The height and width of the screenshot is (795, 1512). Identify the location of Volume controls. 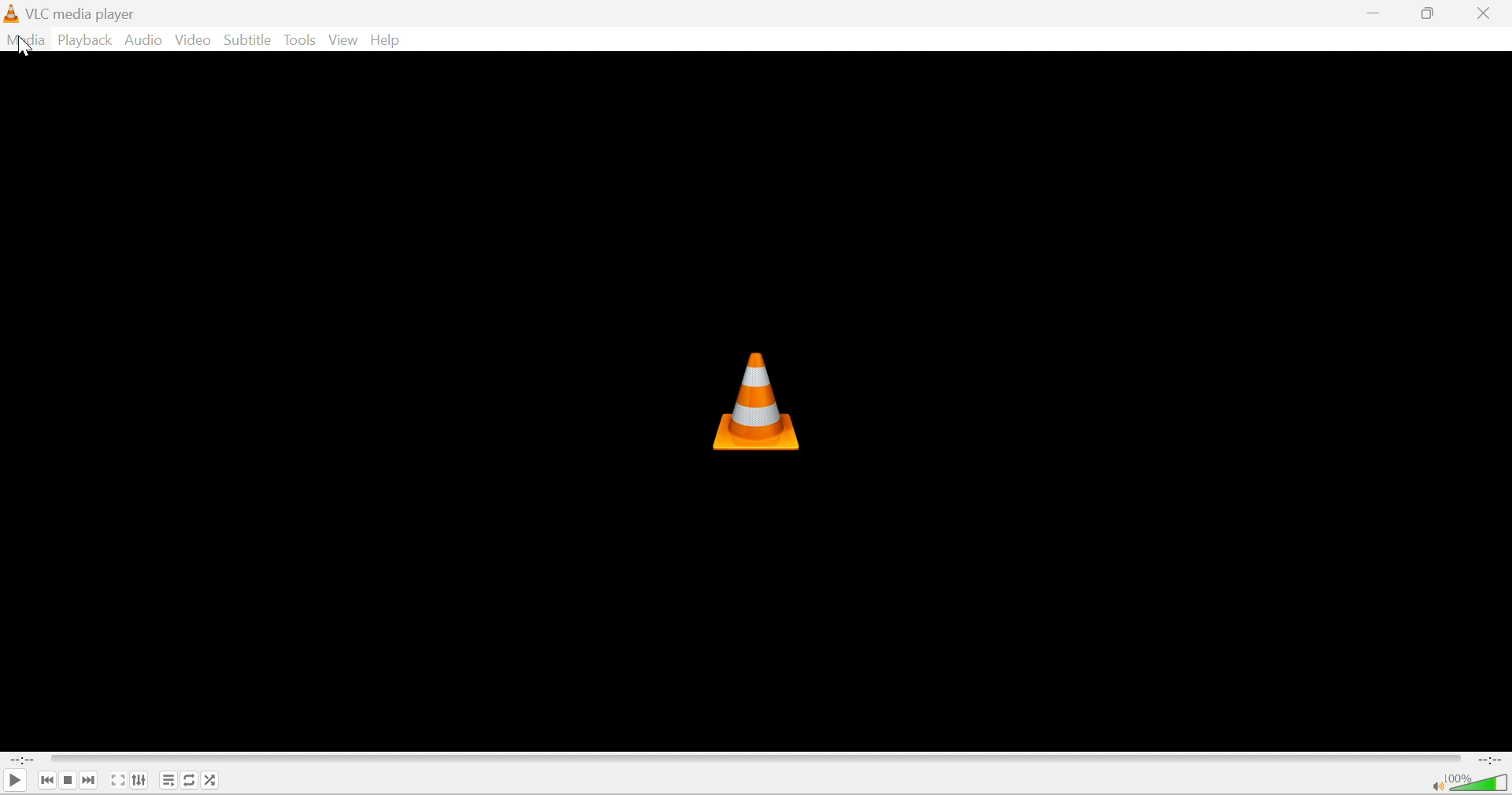
(1480, 784).